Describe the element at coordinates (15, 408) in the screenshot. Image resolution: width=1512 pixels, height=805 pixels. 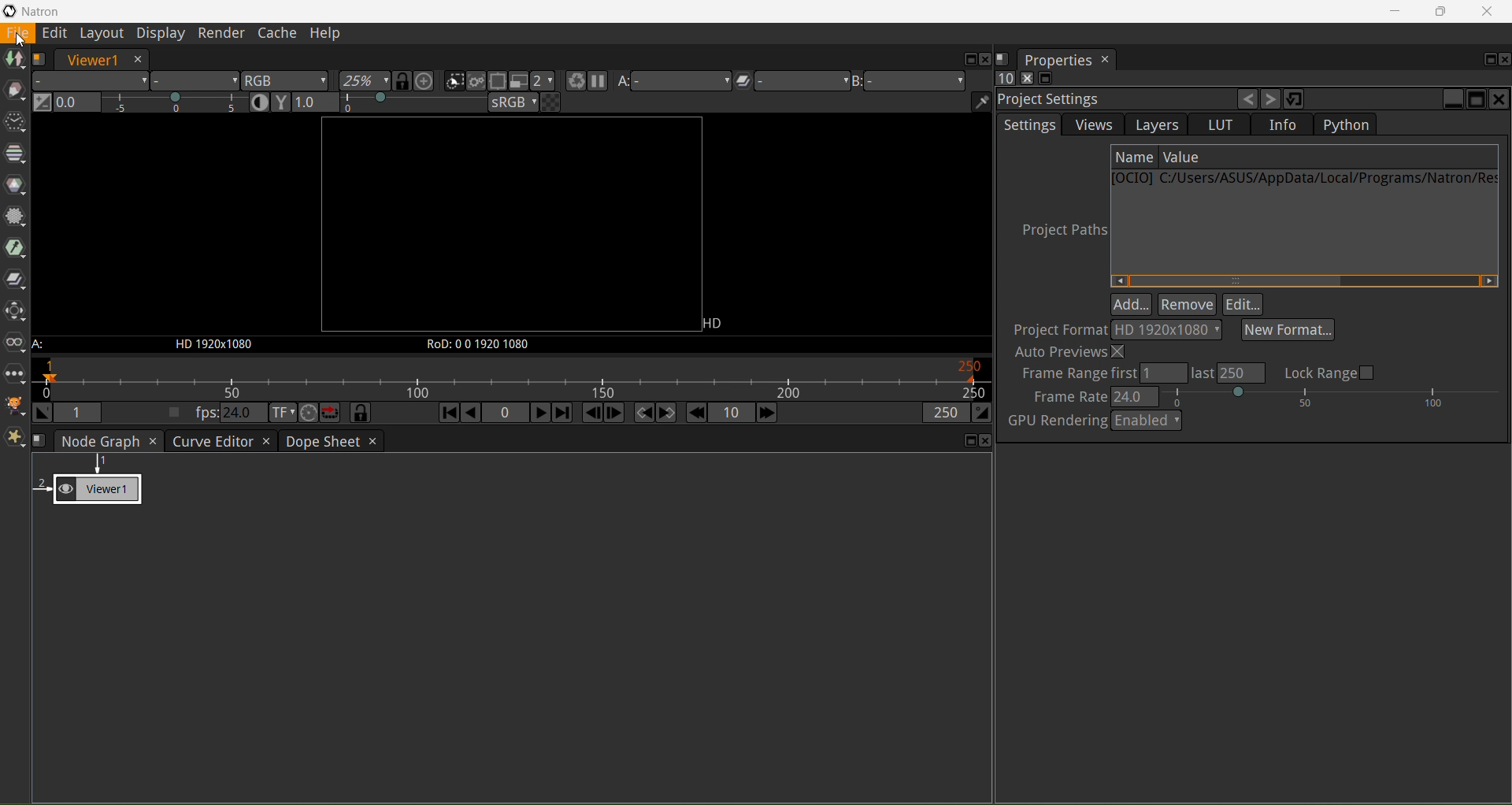
I see `GMIC` at that location.